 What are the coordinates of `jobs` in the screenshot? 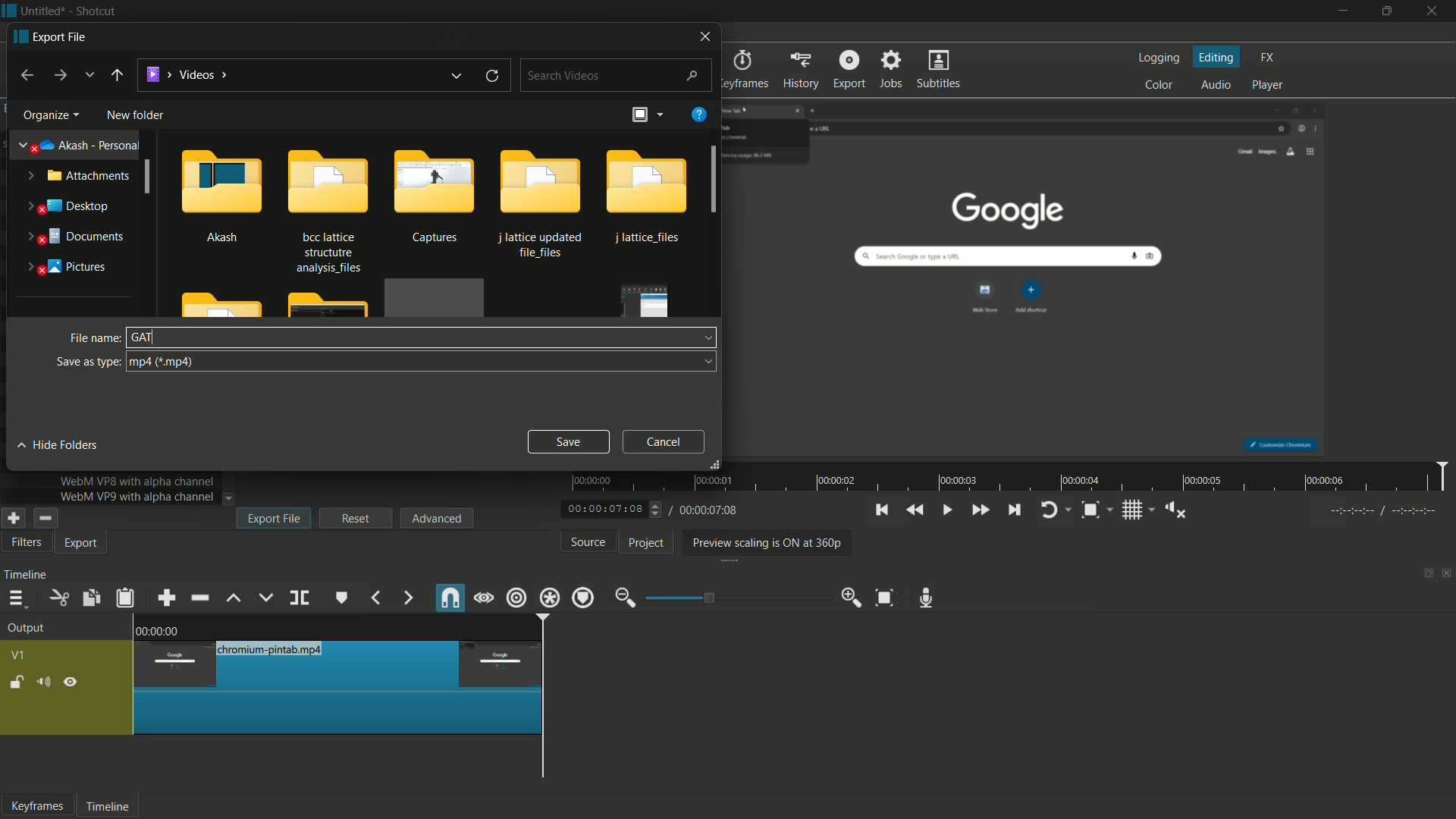 It's located at (890, 69).